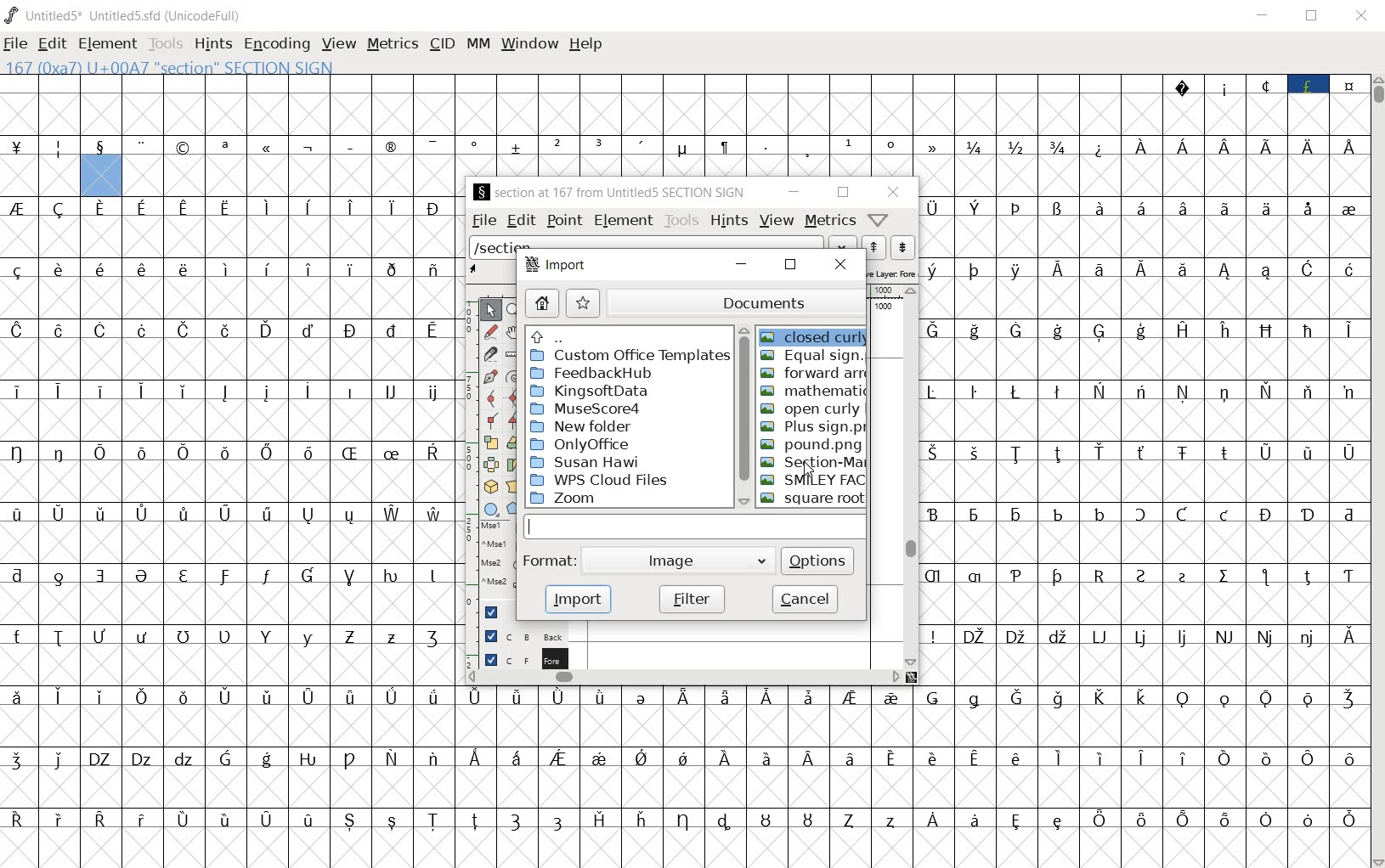  What do you see at coordinates (1312, 17) in the screenshot?
I see `RESTORE DOWN` at bounding box center [1312, 17].